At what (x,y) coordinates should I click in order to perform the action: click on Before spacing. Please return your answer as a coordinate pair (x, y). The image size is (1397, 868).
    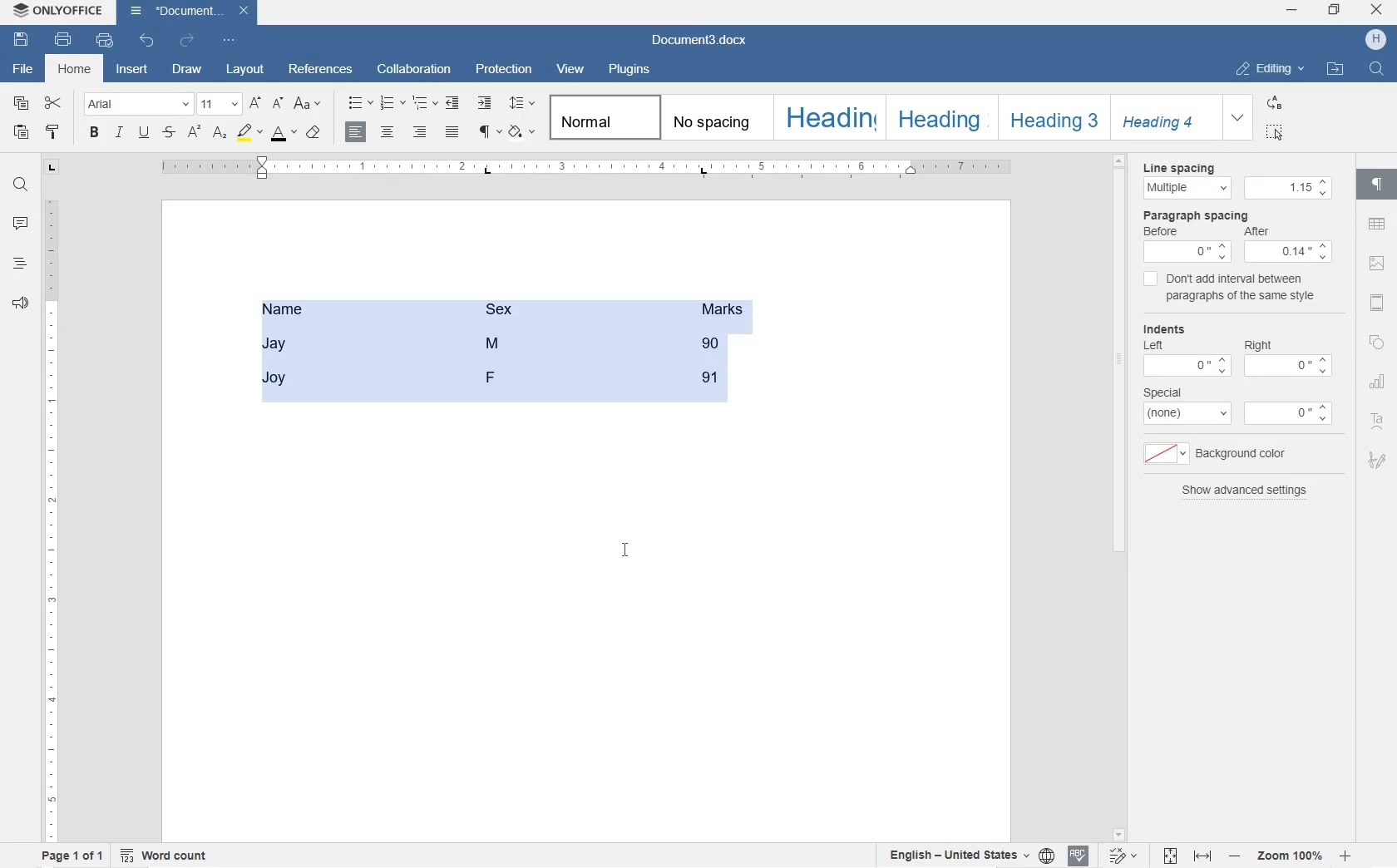
    Looking at the image, I should click on (1184, 245).